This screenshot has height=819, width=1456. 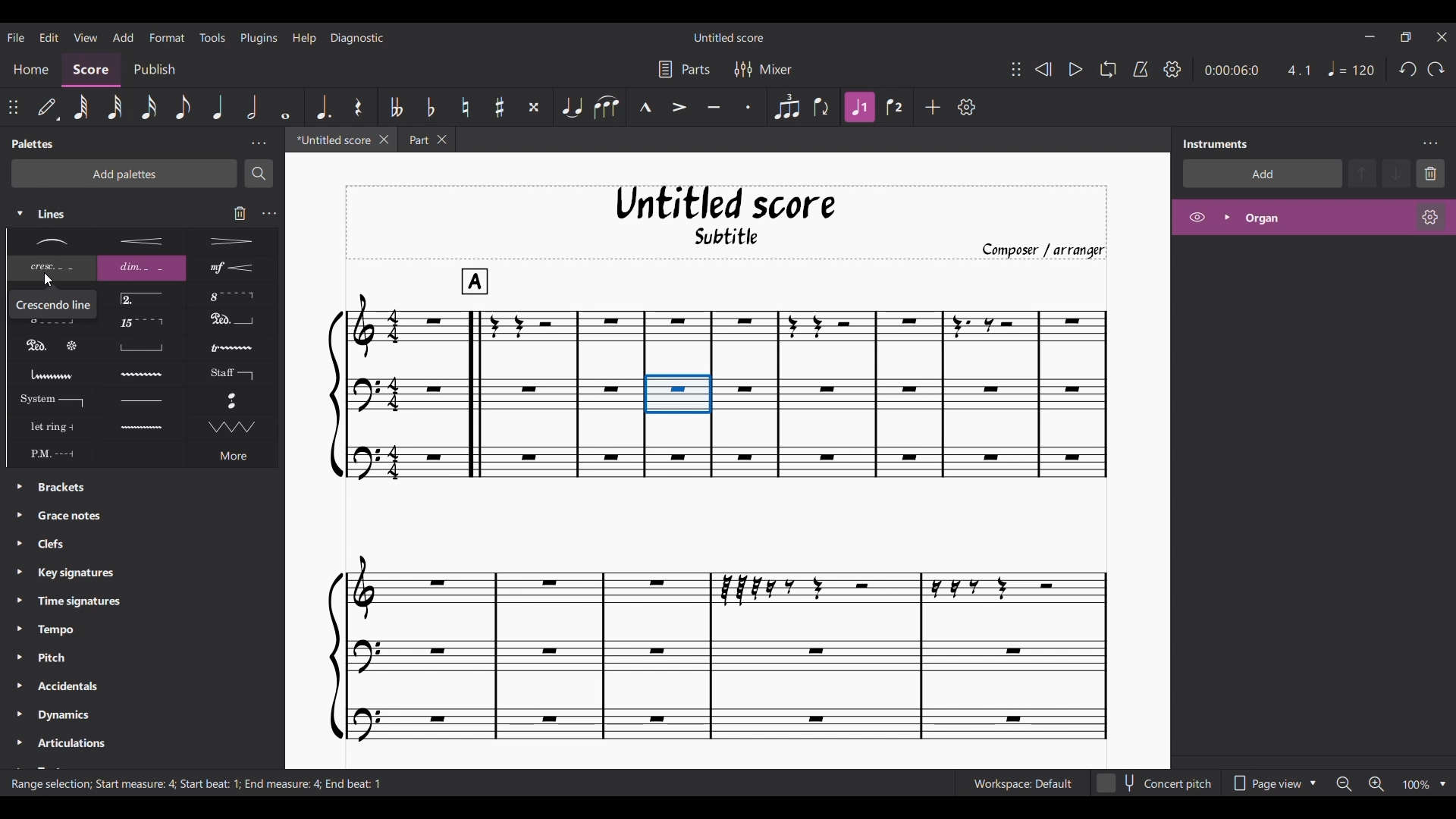 I want to click on Panel title, so click(x=33, y=144).